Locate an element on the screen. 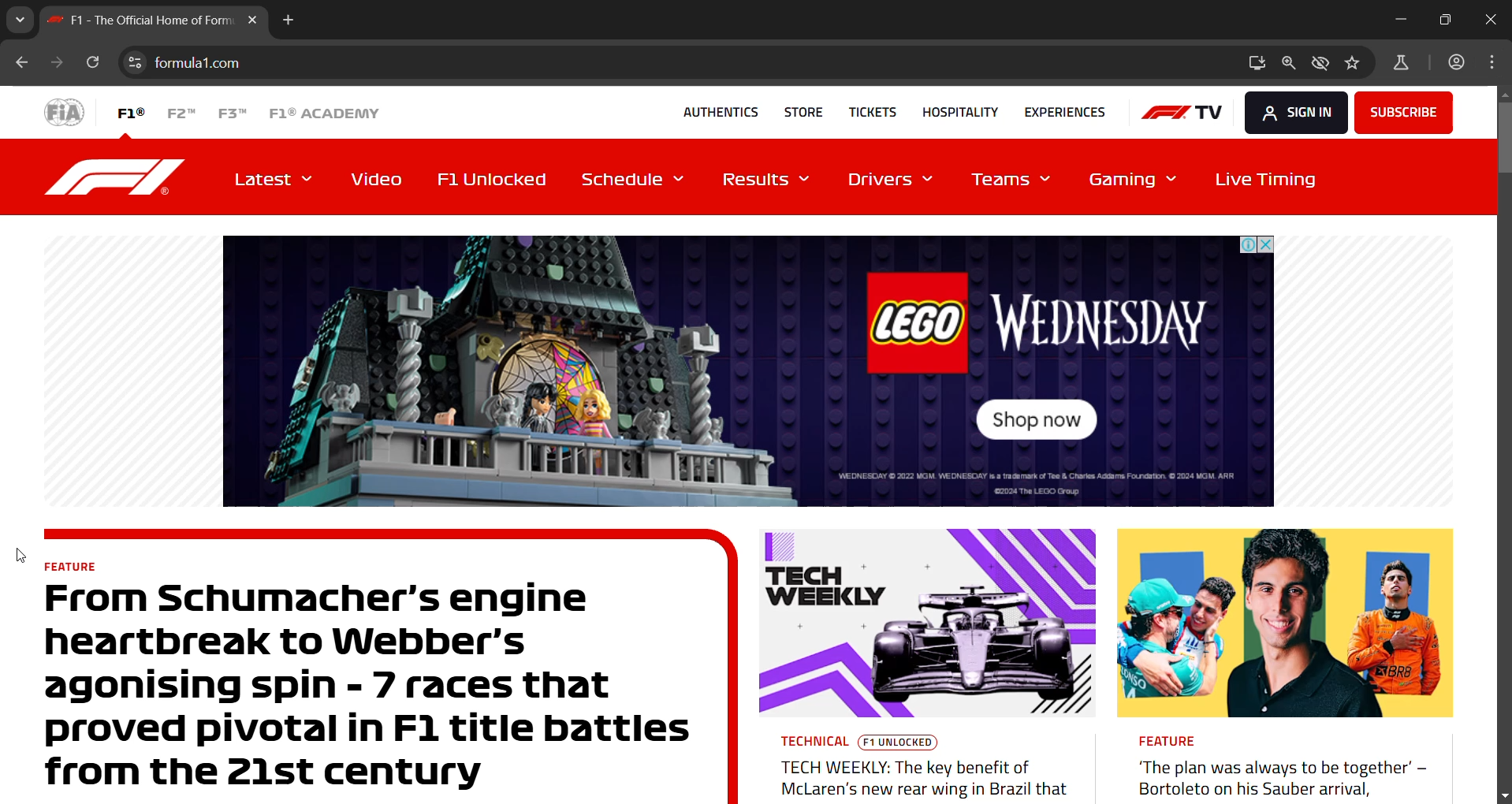 This screenshot has width=1512, height=804. F1 Unlocked is located at coordinates (500, 177).